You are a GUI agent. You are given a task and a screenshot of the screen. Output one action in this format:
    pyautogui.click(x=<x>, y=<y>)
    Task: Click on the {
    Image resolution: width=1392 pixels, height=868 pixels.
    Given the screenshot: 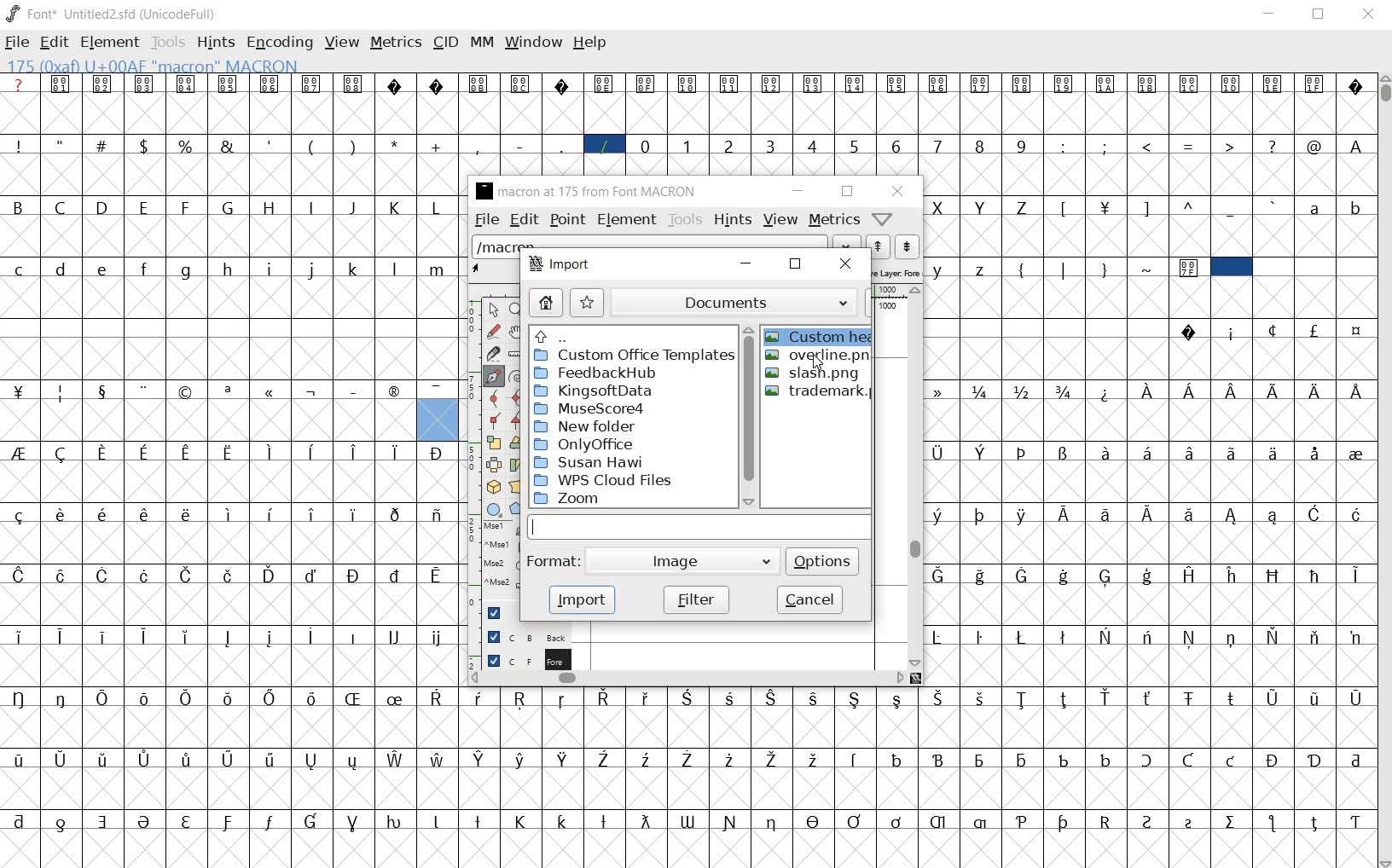 What is the action you would take?
    pyautogui.click(x=1024, y=269)
    